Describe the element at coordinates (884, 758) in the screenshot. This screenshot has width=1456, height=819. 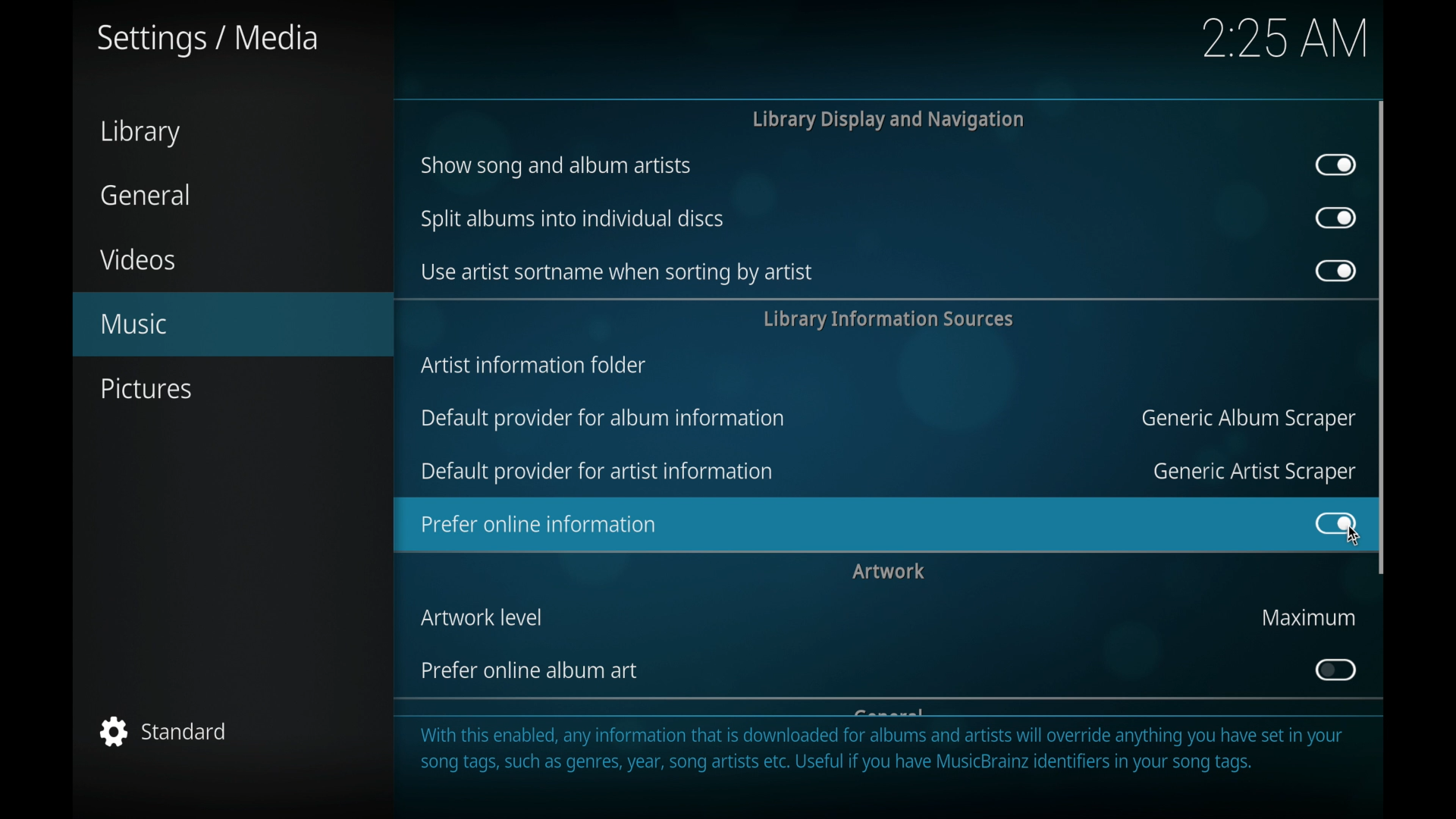
I see `With this enabled, any information that is downloaded for albums and artists will override anything you have set in your
song tags, such as genres, year, song artists etc. Useful if you have MusicBrainz identifiers in your song tags.` at that location.